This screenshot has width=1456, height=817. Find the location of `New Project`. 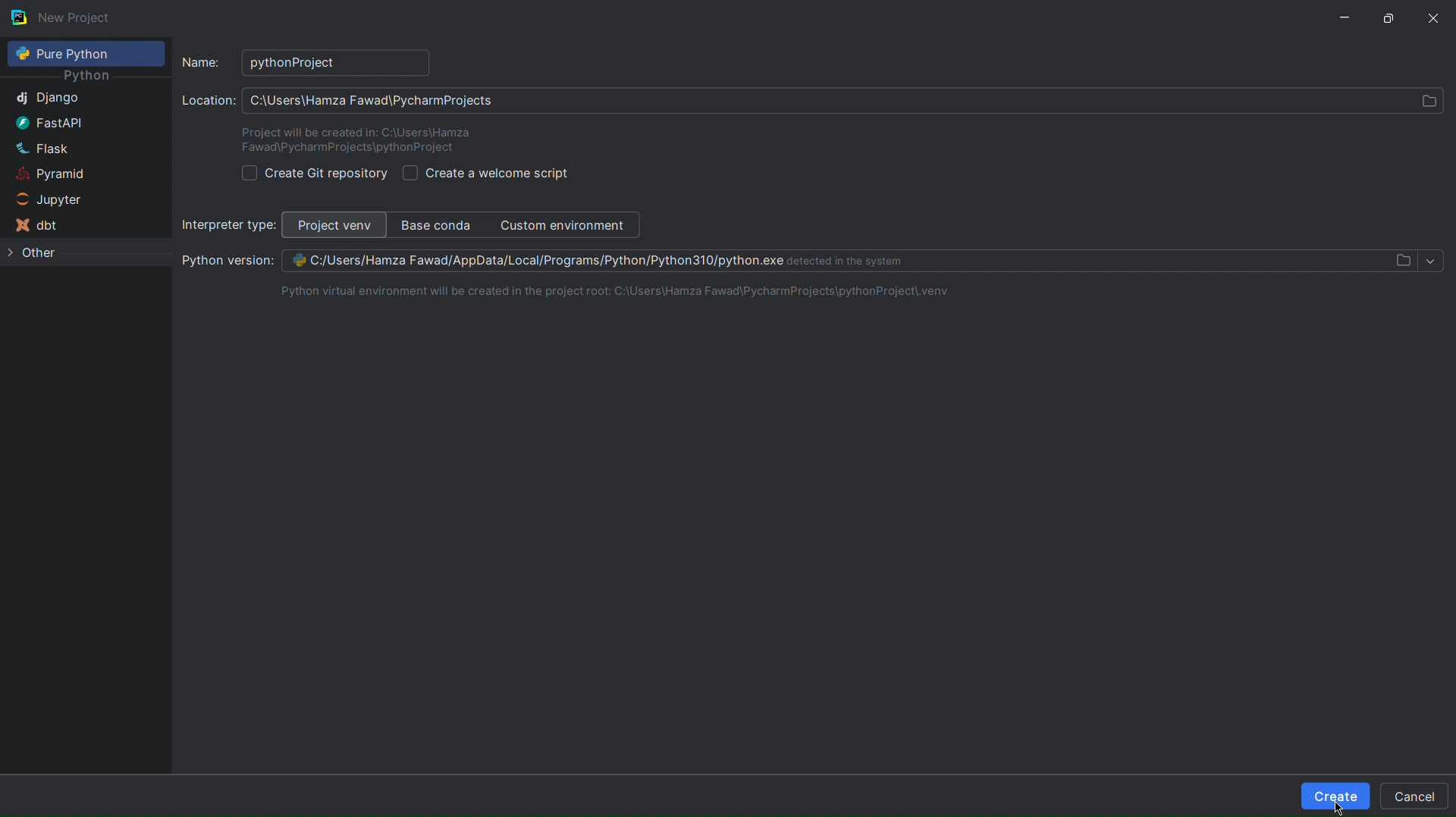

New Project is located at coordinates (64, 17).